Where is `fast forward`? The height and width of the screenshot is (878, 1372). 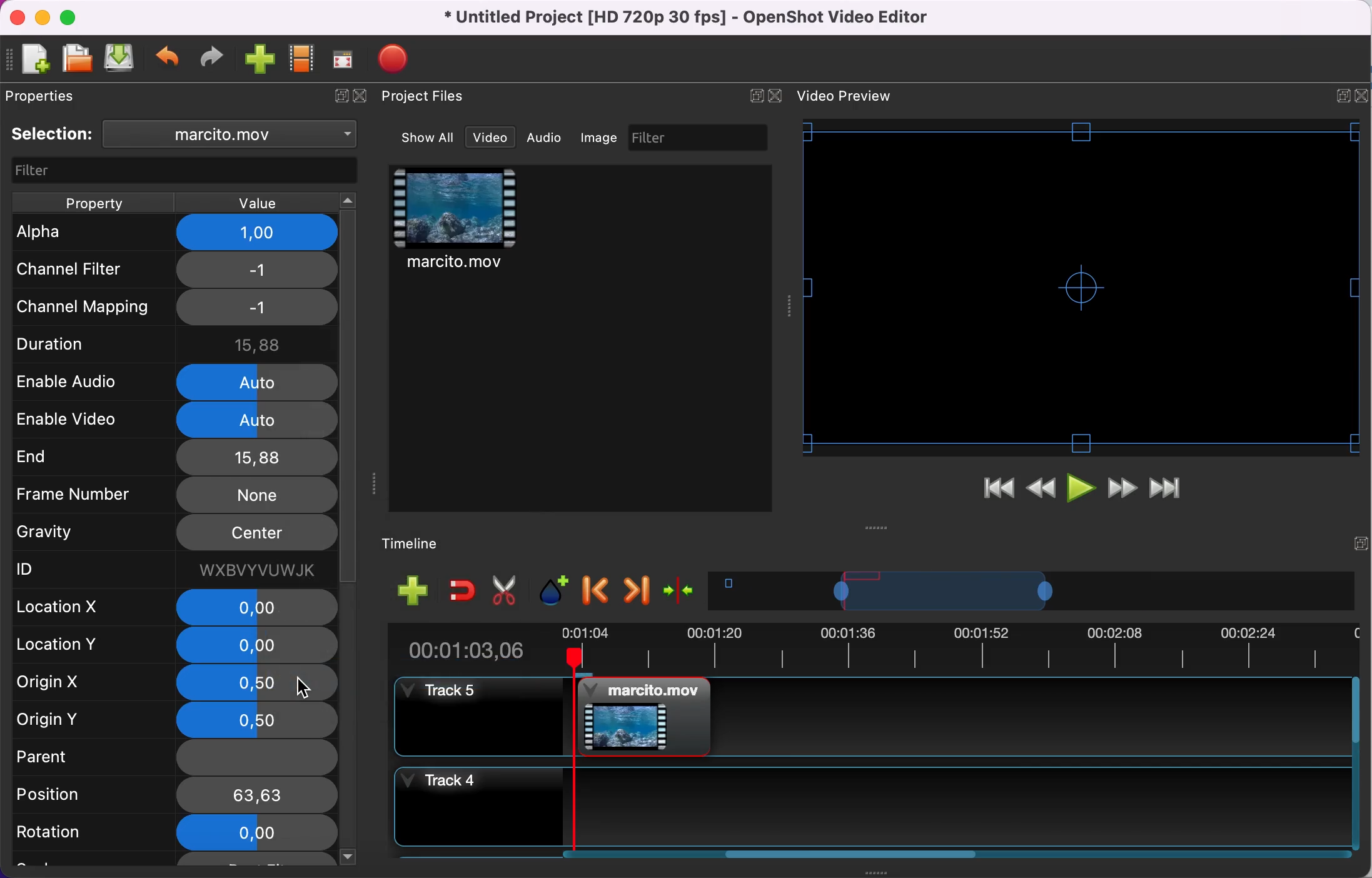
fast forward is located at coordinates (1122, 490).